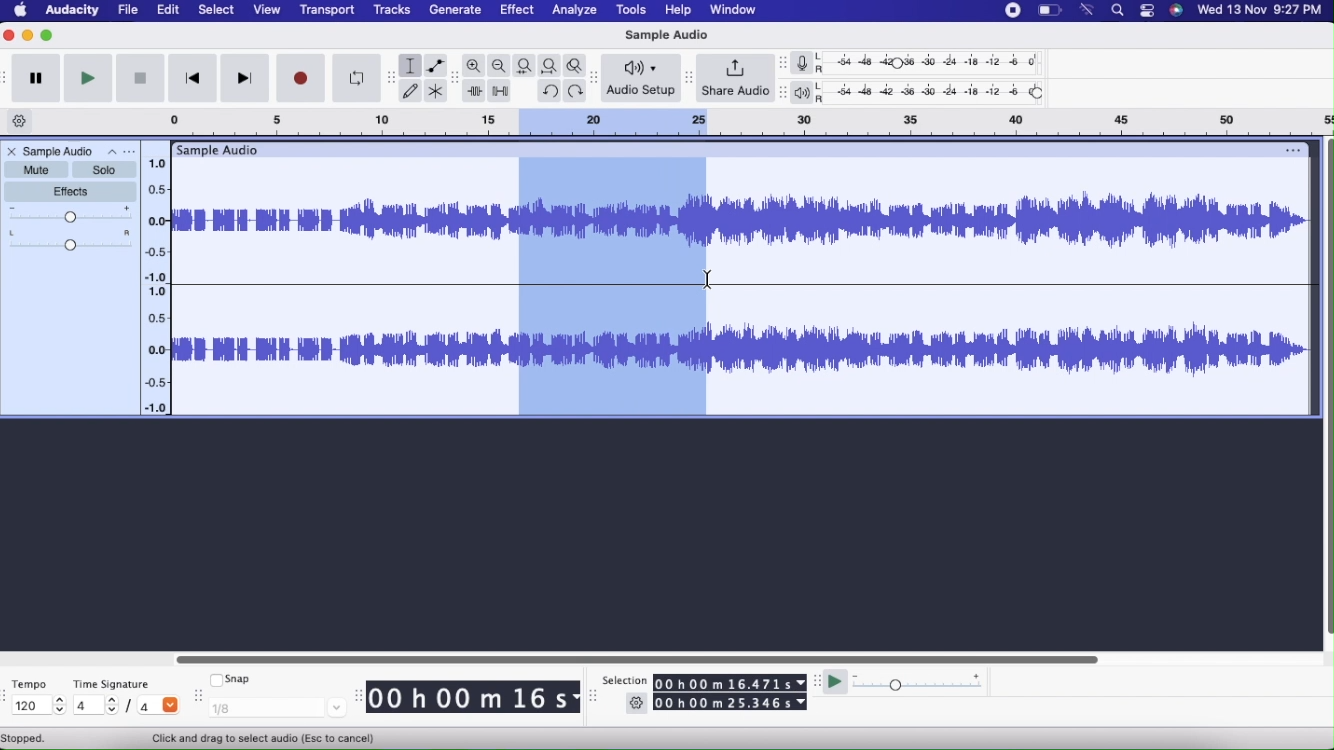 The width and height of the screenshot is (1334, 750). I want to click on network, so click(1088, 10).